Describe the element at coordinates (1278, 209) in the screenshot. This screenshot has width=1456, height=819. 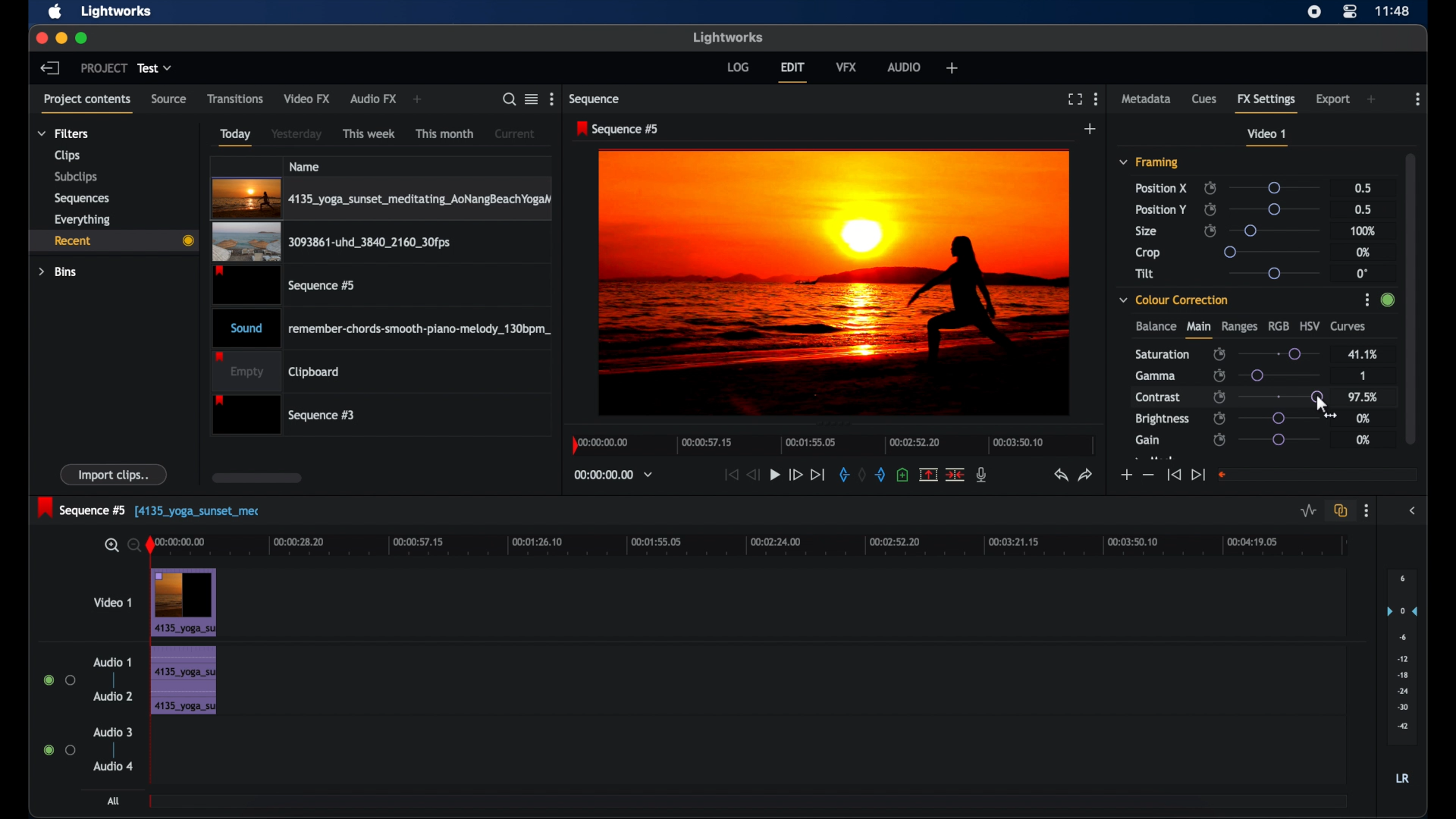
I see `slider` at that location.